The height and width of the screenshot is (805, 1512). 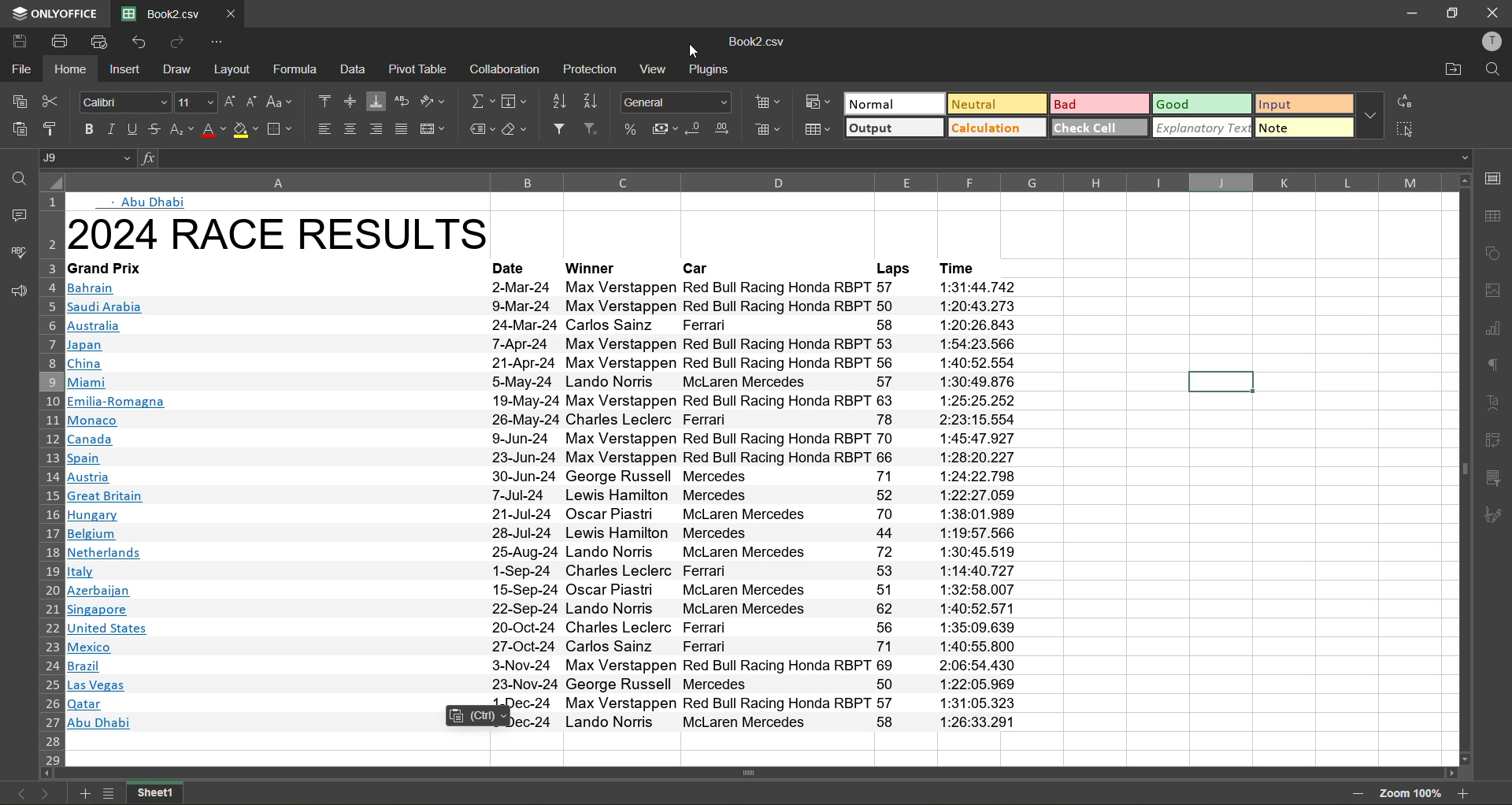 What do you see at coordinates (516, 102) in the screenshot?
I see `field` at bounding box center [516, 102].